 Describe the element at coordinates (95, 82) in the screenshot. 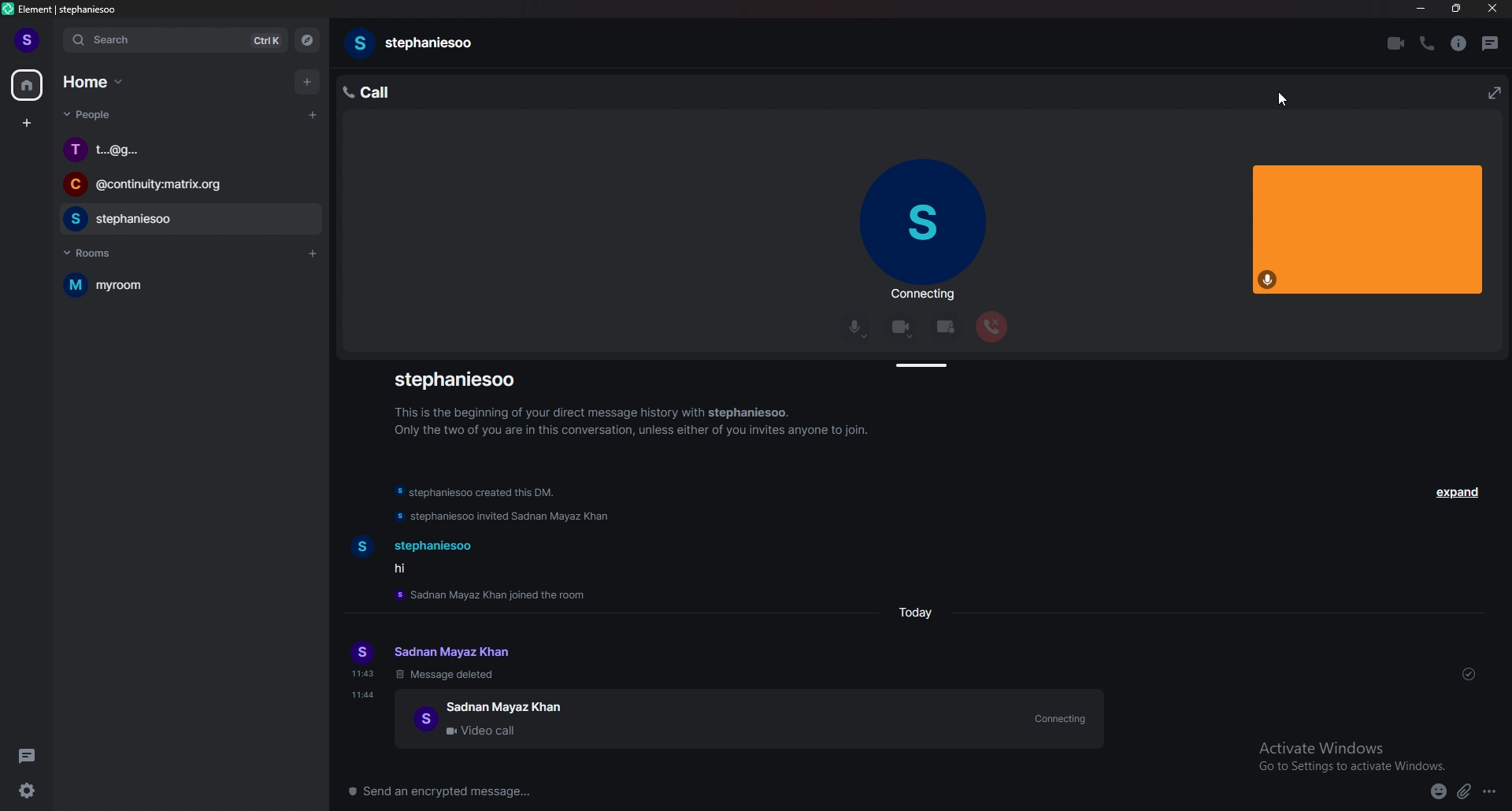

I see `home` at that location.